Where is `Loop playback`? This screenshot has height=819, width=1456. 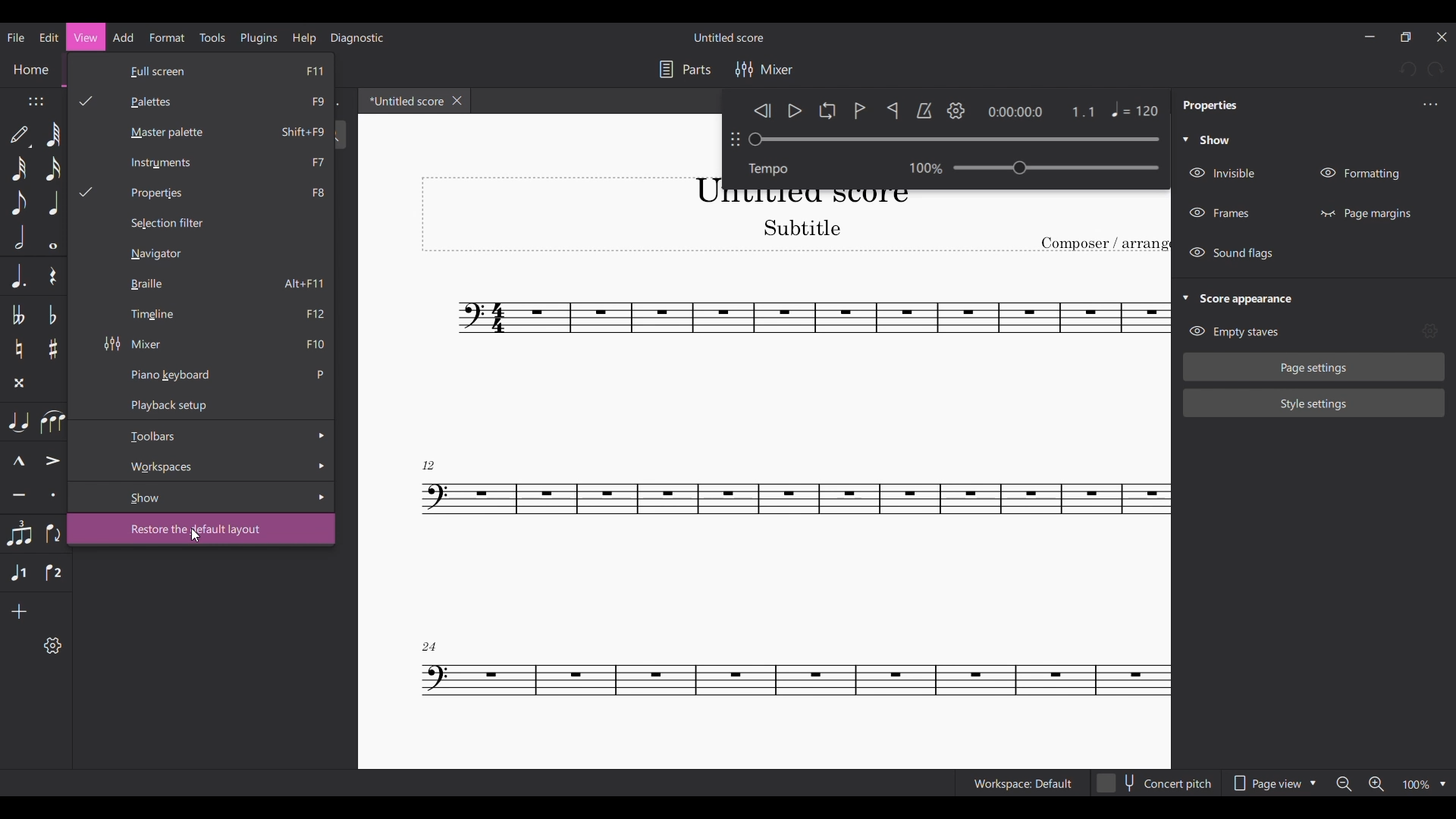 Loop playback is located at coordinates (827, 110).